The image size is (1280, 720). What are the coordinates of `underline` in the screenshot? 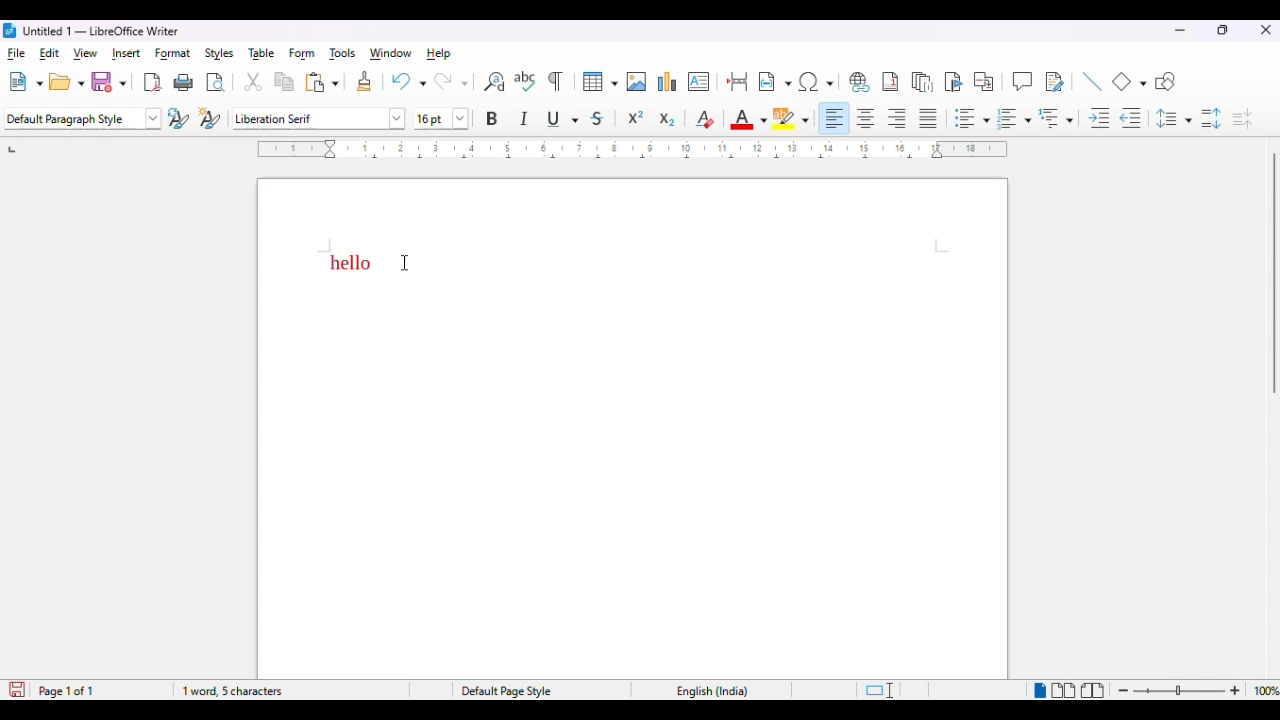 It's located at (563, 119).